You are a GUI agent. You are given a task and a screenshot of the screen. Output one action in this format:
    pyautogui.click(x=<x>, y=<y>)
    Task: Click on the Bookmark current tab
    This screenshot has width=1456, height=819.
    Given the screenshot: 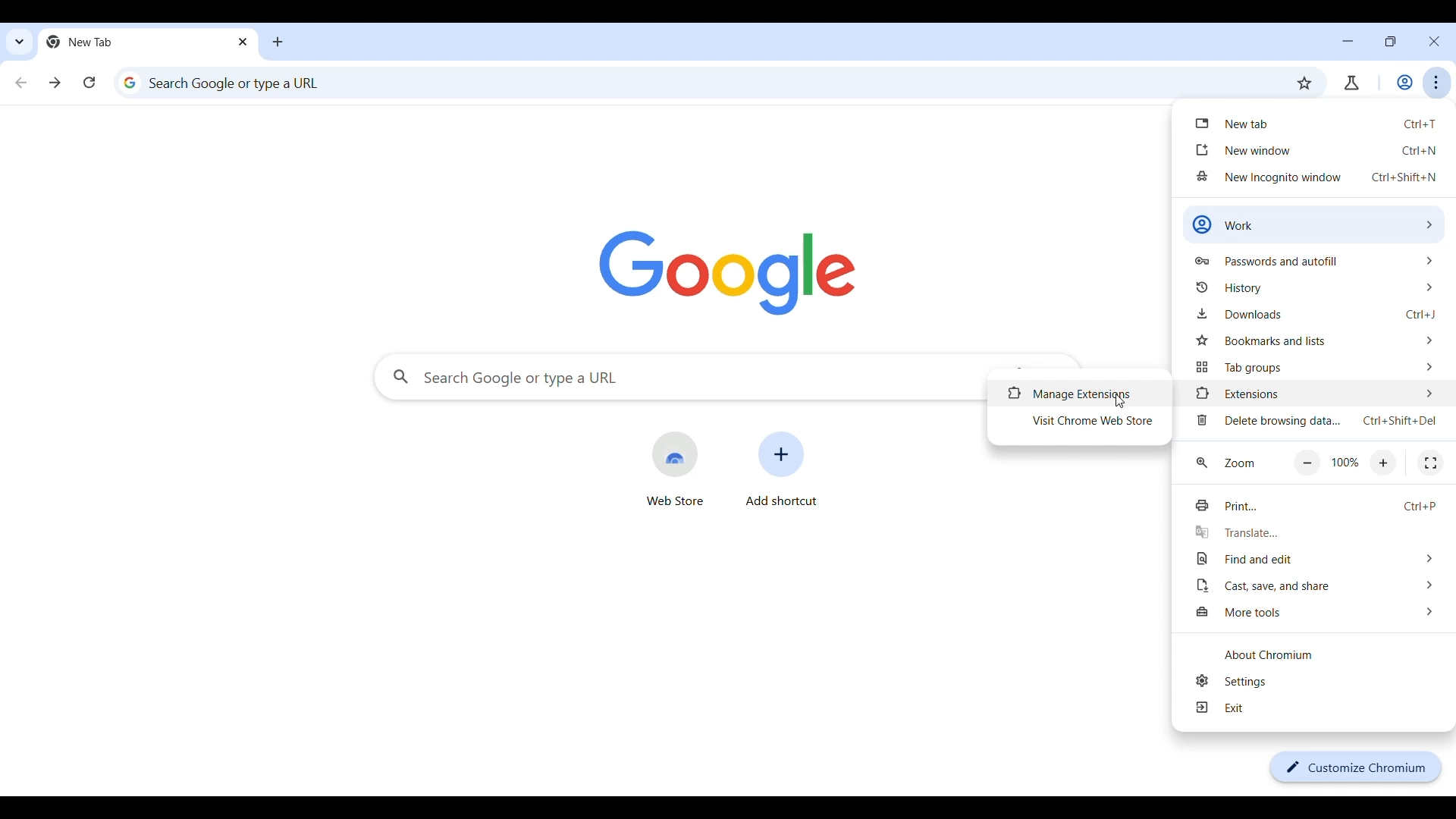 What is the action you would take?
    pyautogui.click(x=1304, y=83)
    